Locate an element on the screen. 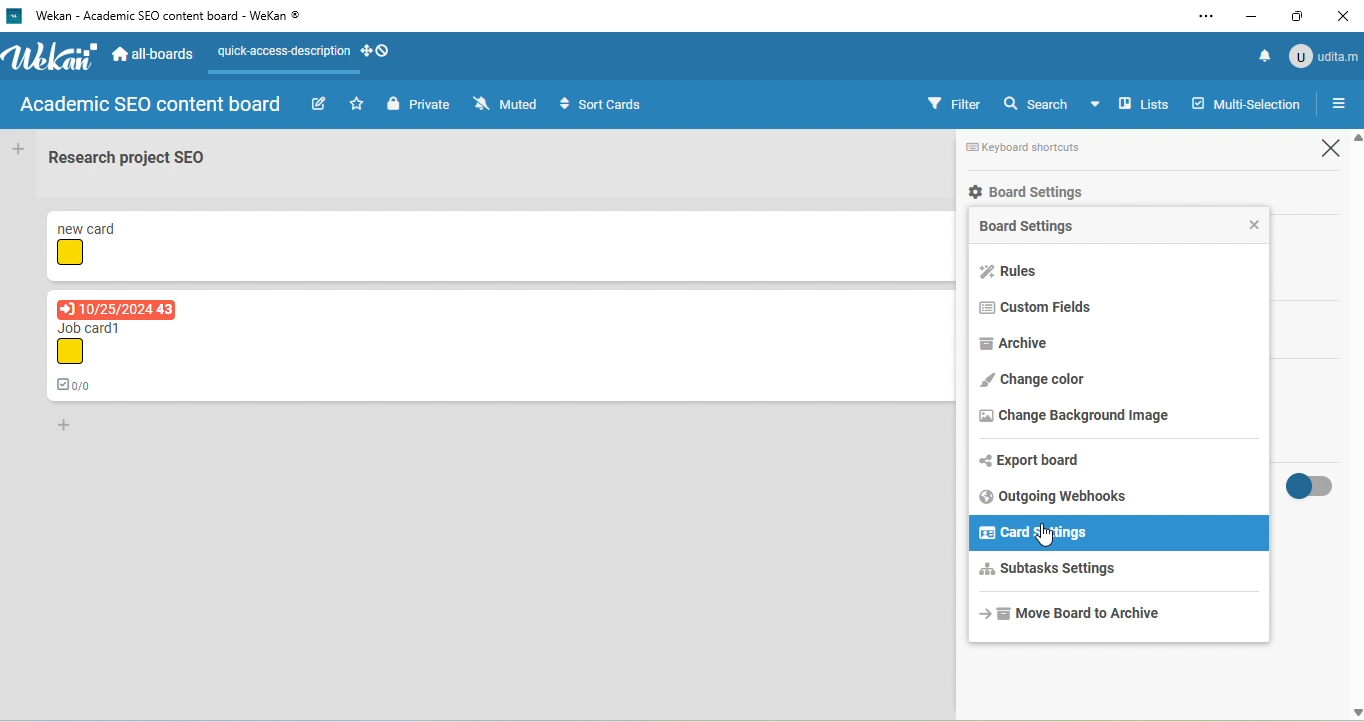 The height and width of the screenshot is (722, 1364). filter is located at coordinates (951, 103).